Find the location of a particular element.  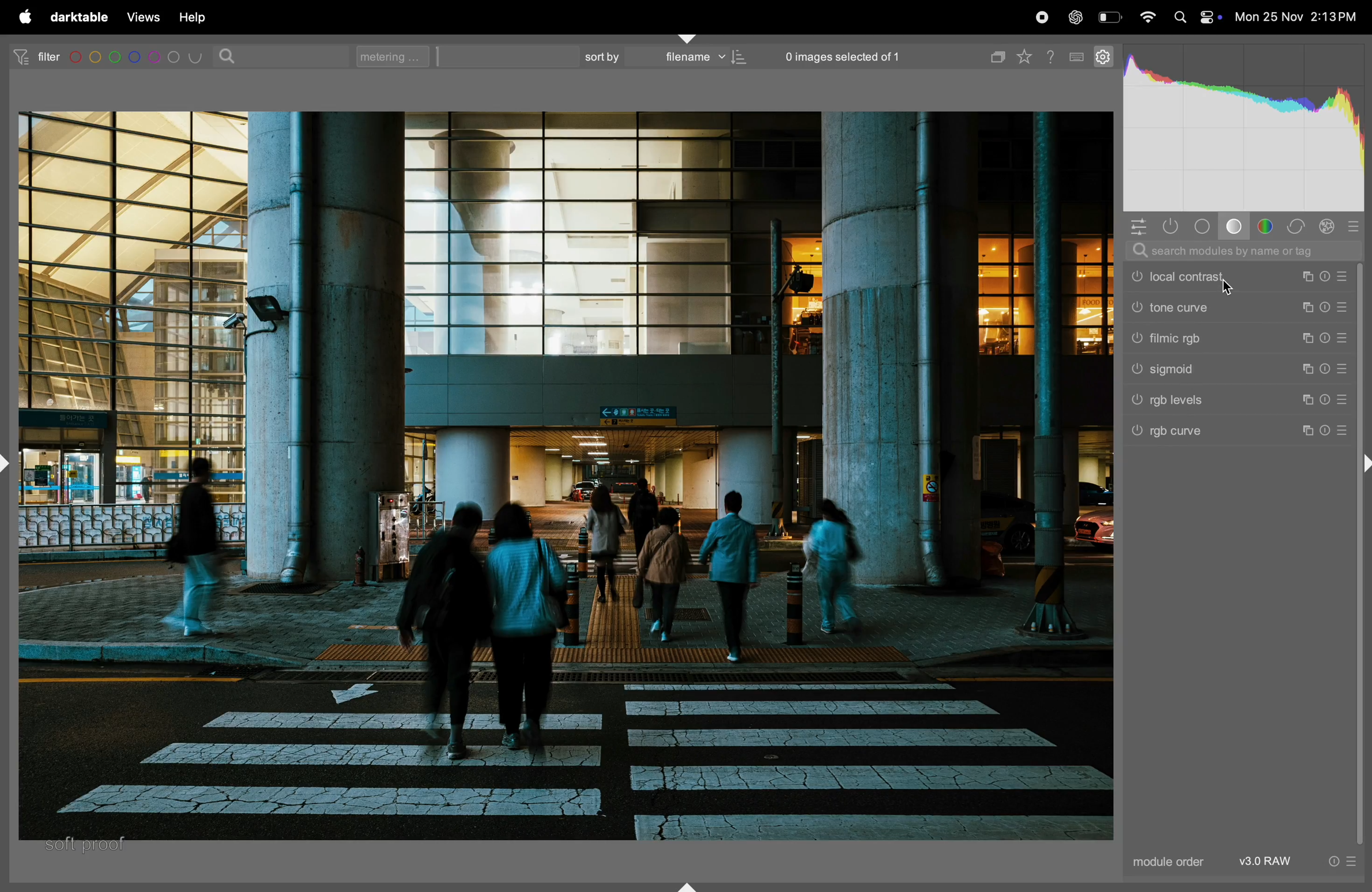

shift+ctrl+b is located at coordinates (684, 886).